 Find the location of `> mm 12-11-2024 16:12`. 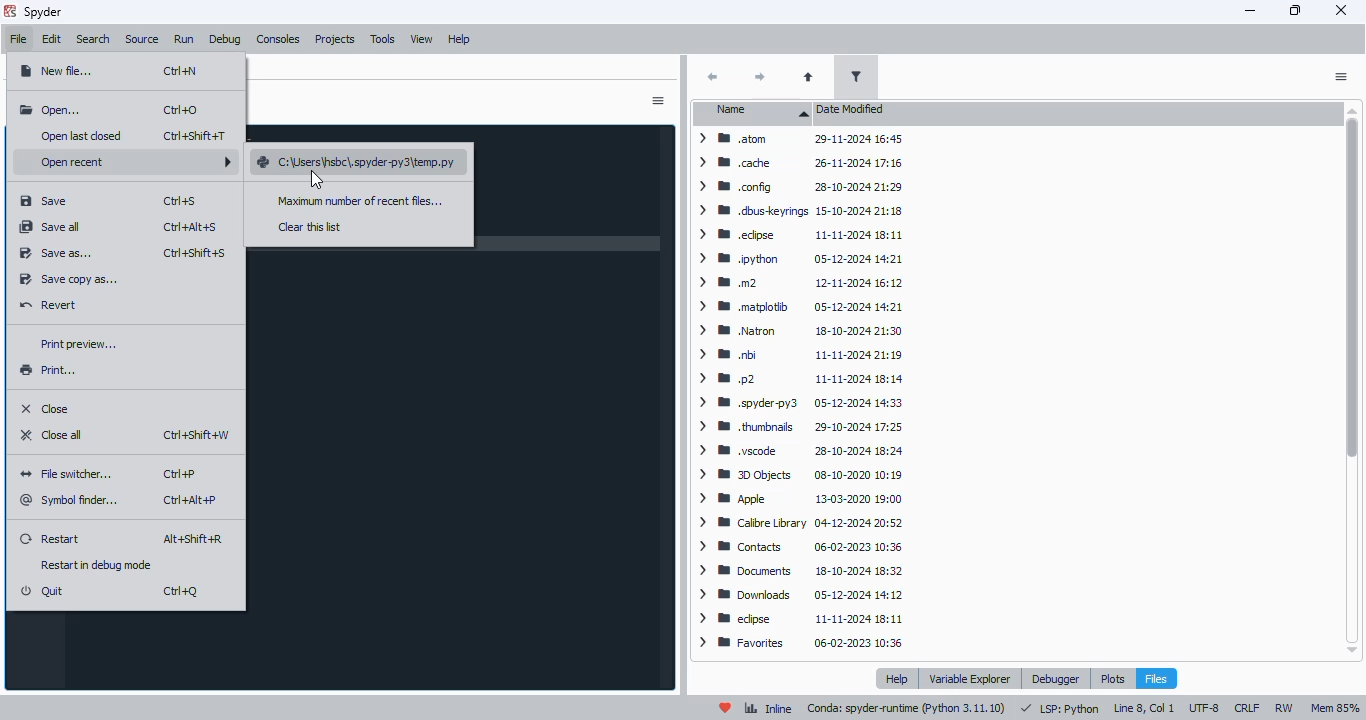

> mm 12-11-2024 16:12 is located at coordinates (800, 284).